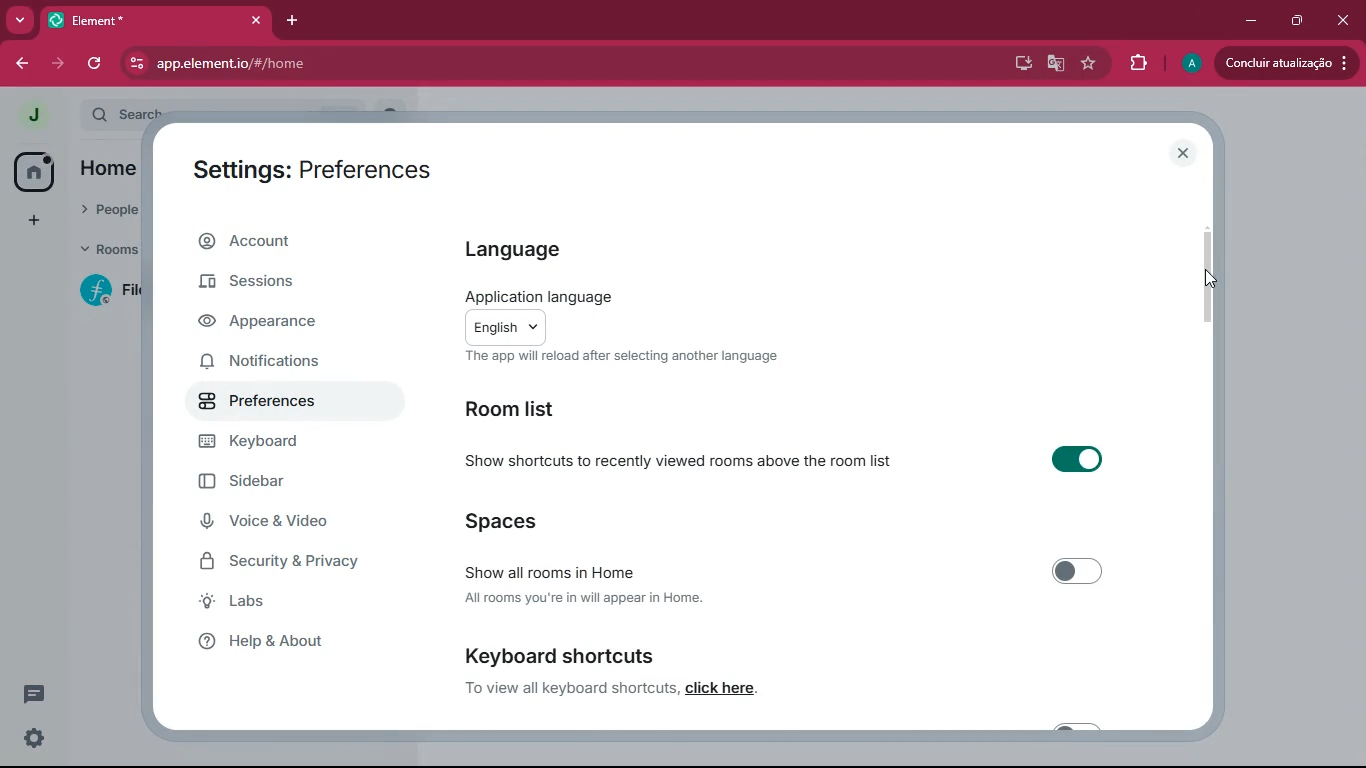  Describe the element at coordinates (510, 522) in the screenshot. I see `spaces` at that location.